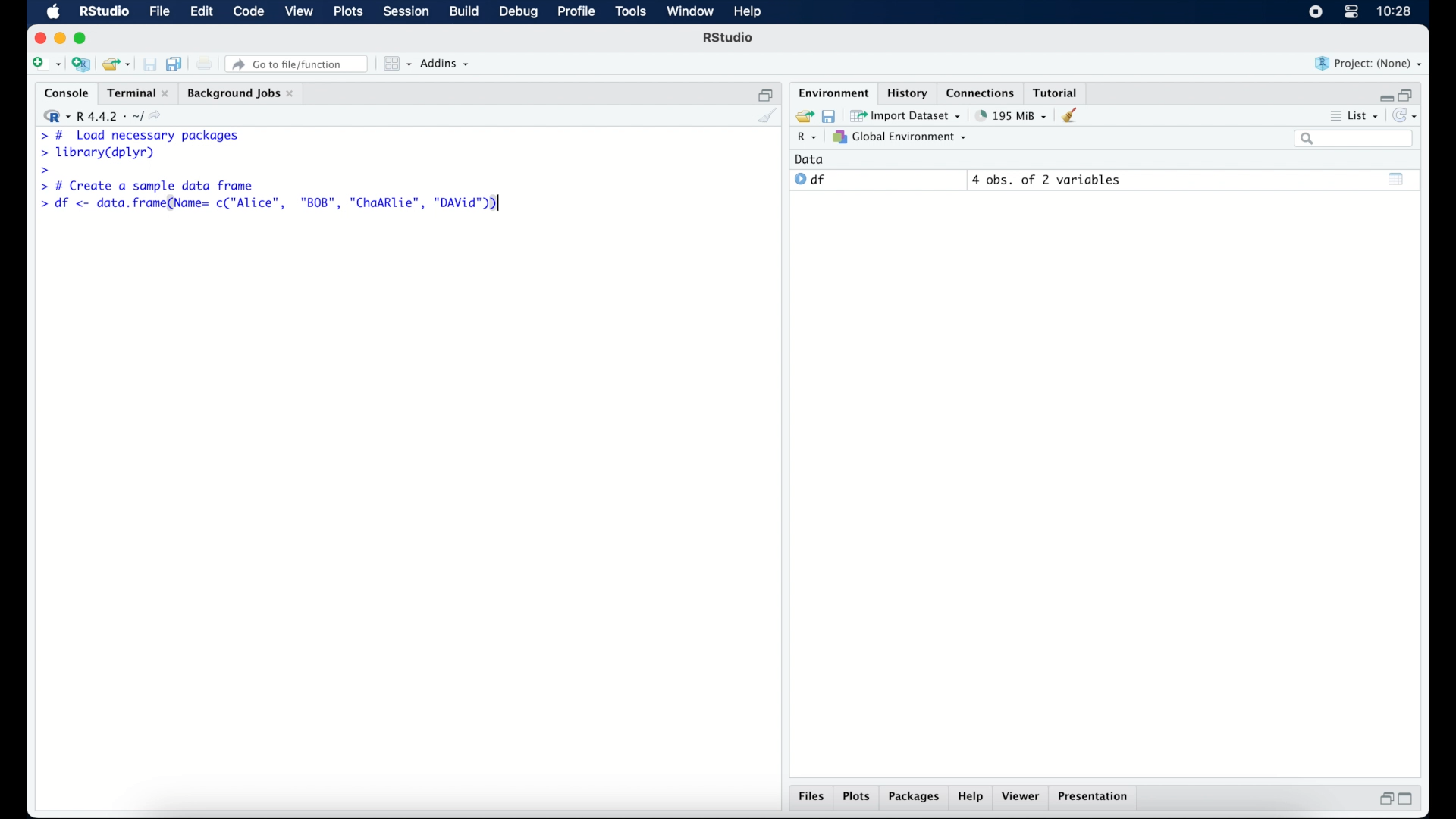  I want to click on project (none), so click(1370, 64).